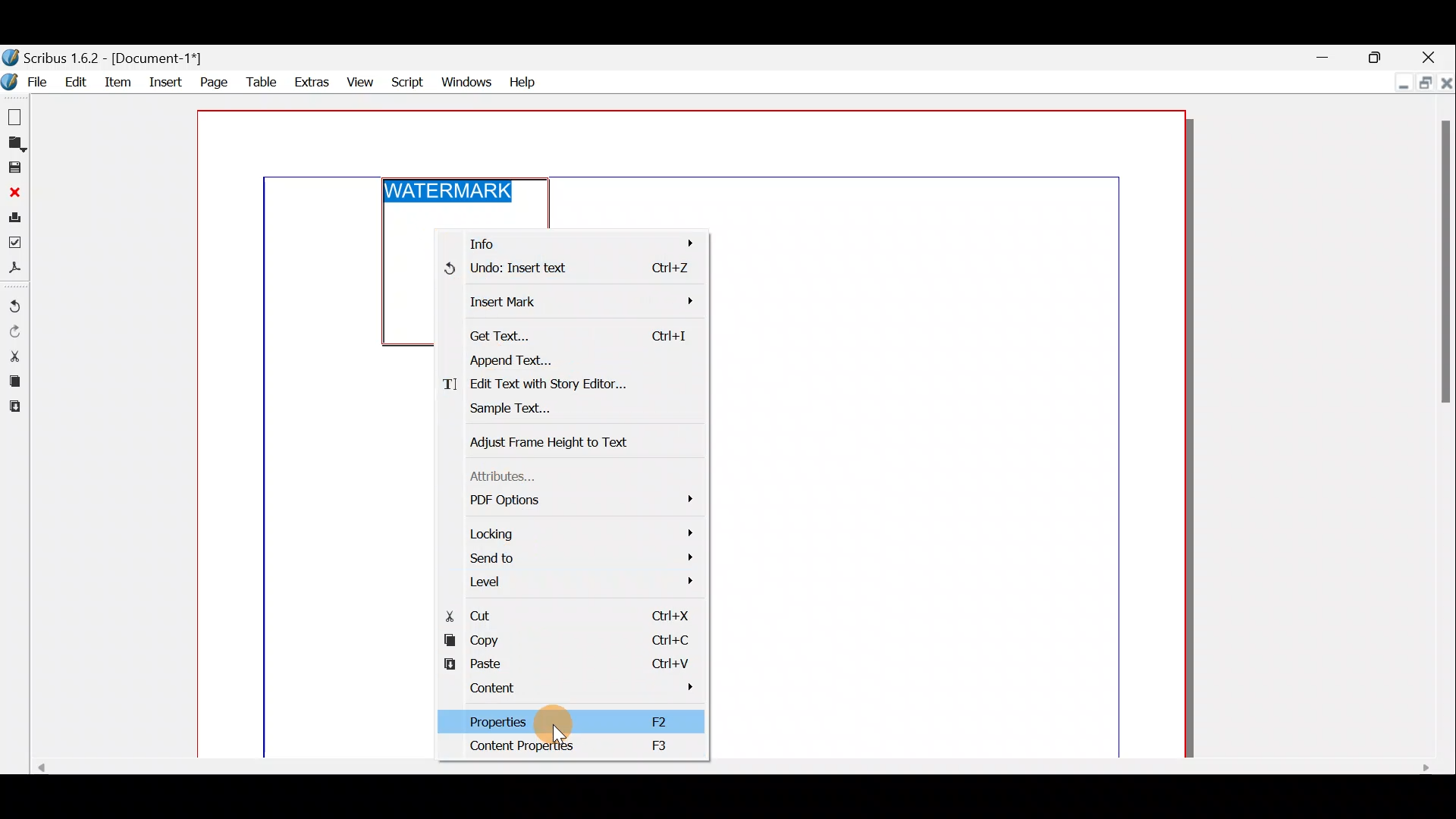  I want to click on Item, so click(121, 81).